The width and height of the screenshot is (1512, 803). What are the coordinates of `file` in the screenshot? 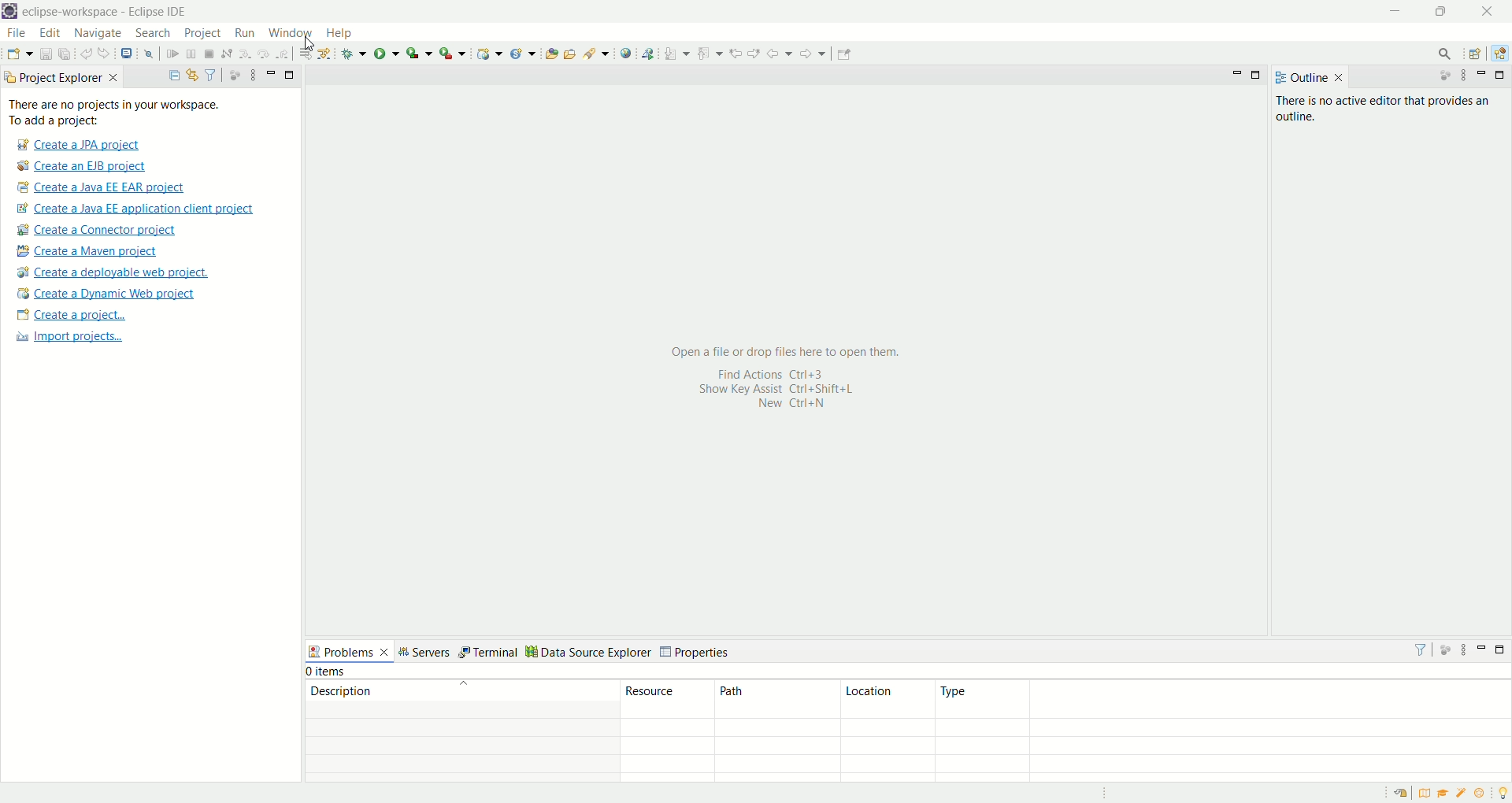 It's located at (14, 32).